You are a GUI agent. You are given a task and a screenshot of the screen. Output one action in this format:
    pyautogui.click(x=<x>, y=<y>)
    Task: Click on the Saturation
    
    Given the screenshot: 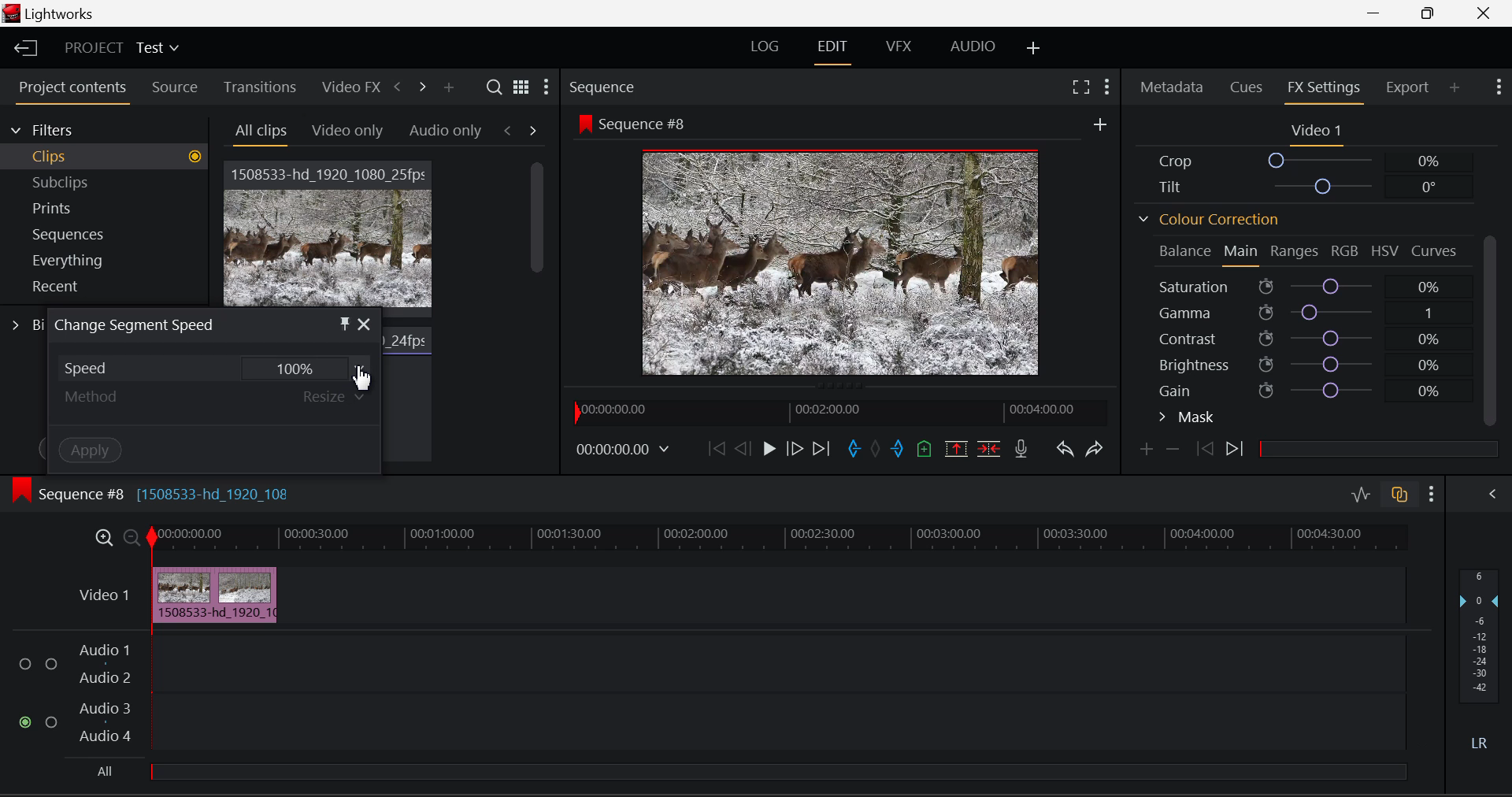 What is the action you would take?
    pyautogui.click(x=1298, y=286)
    